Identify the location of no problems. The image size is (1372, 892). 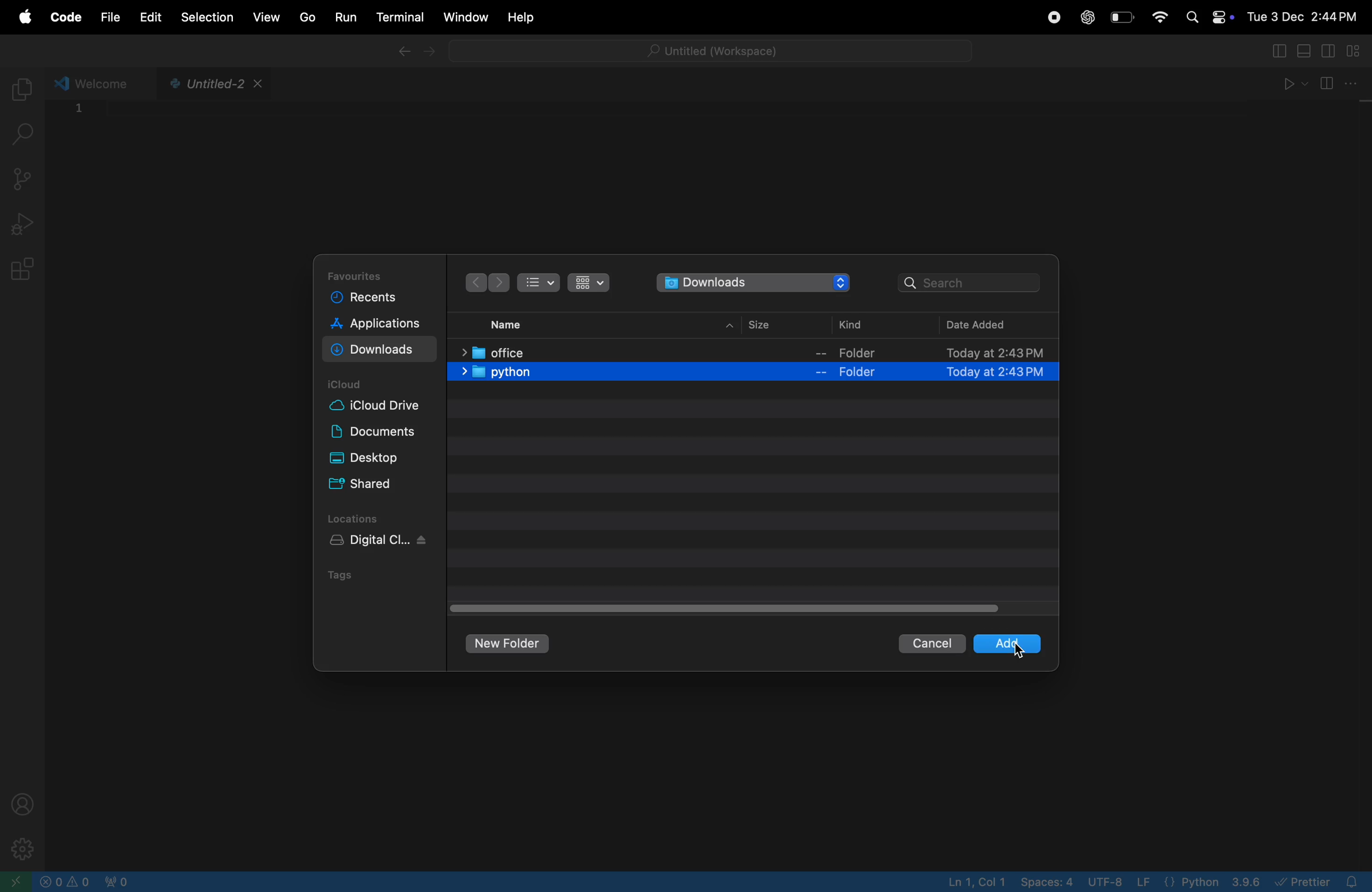
(66, 881).